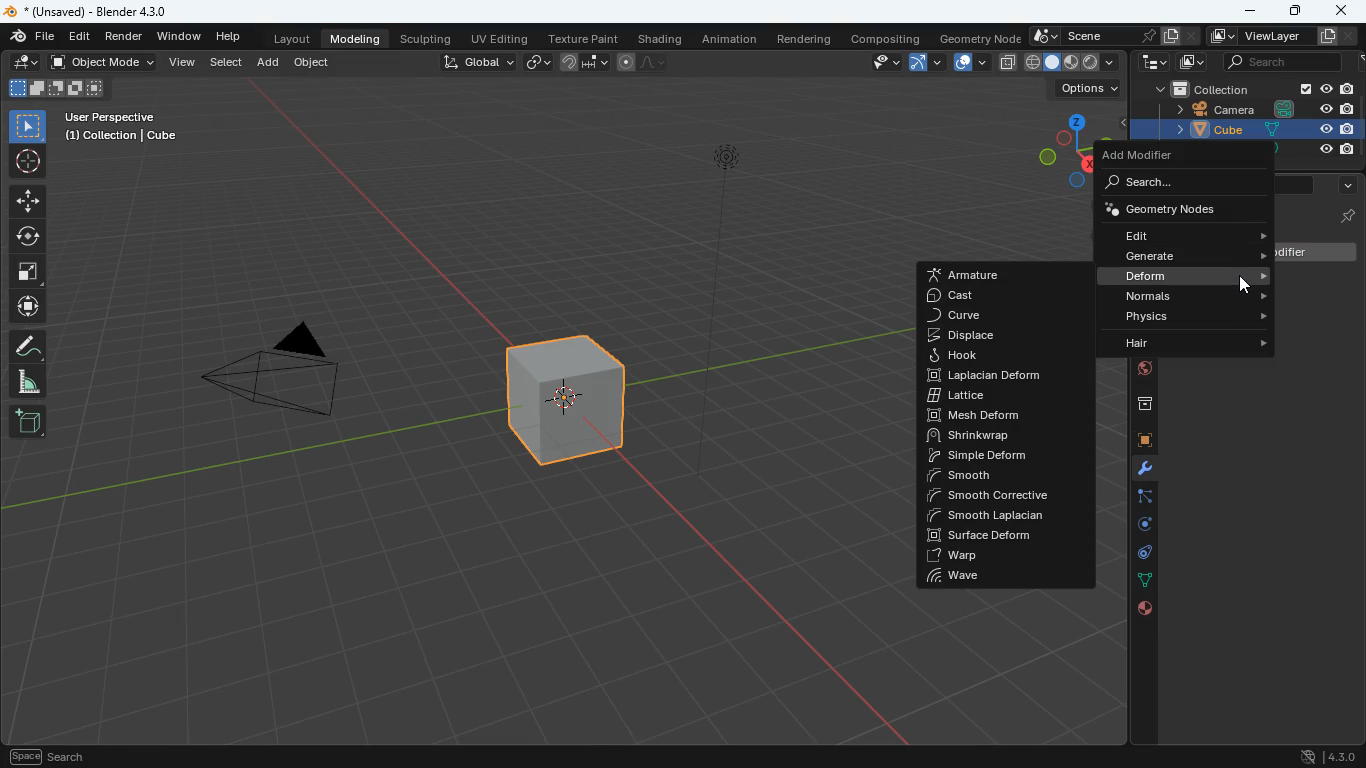 The image size is (1366, 768). Describe the element at coordinates (266, 63) in the screenshot. I see `add` at that location.